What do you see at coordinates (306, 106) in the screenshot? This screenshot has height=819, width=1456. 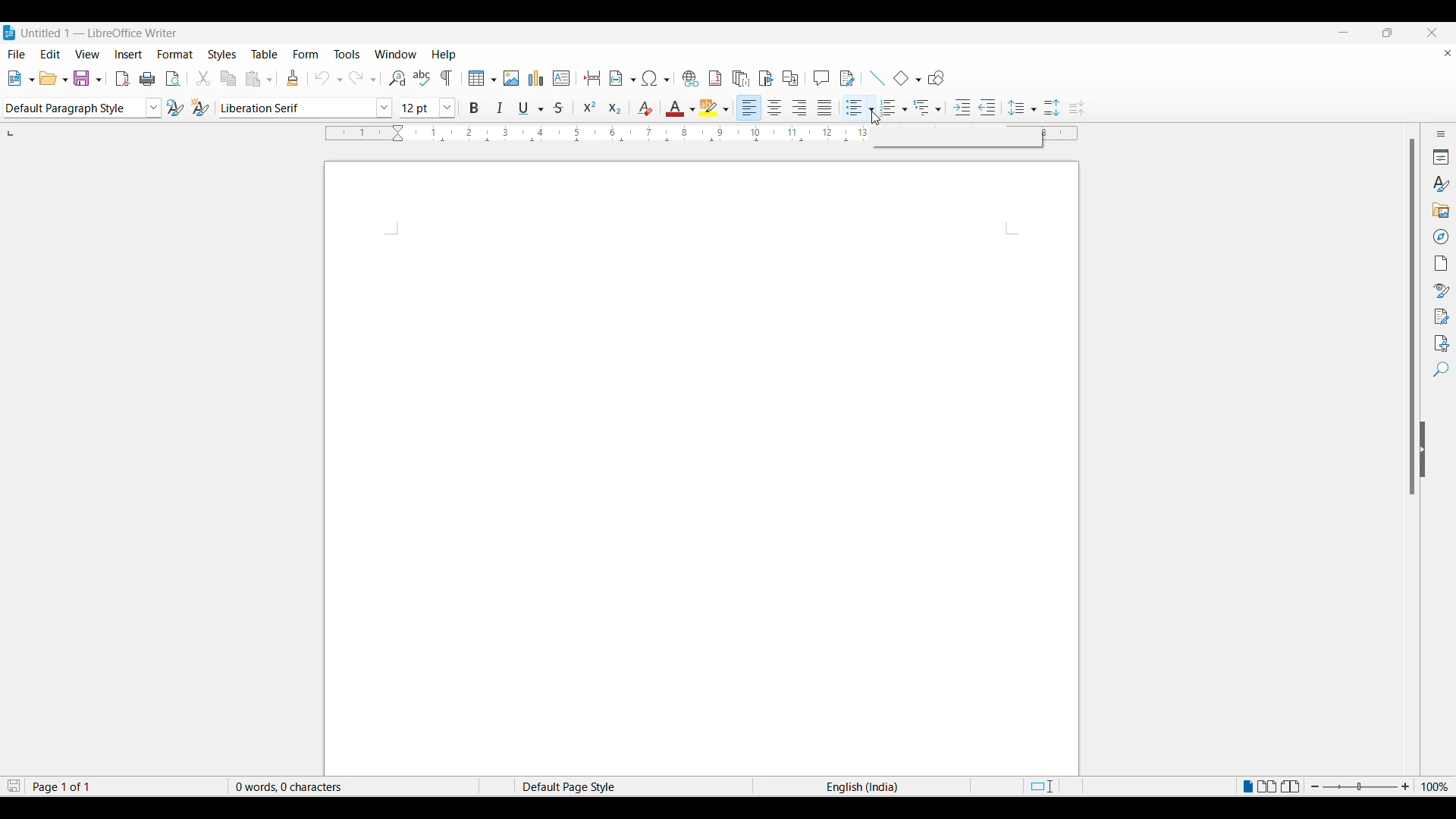 I see `font style` at bounding box center [306, 106].